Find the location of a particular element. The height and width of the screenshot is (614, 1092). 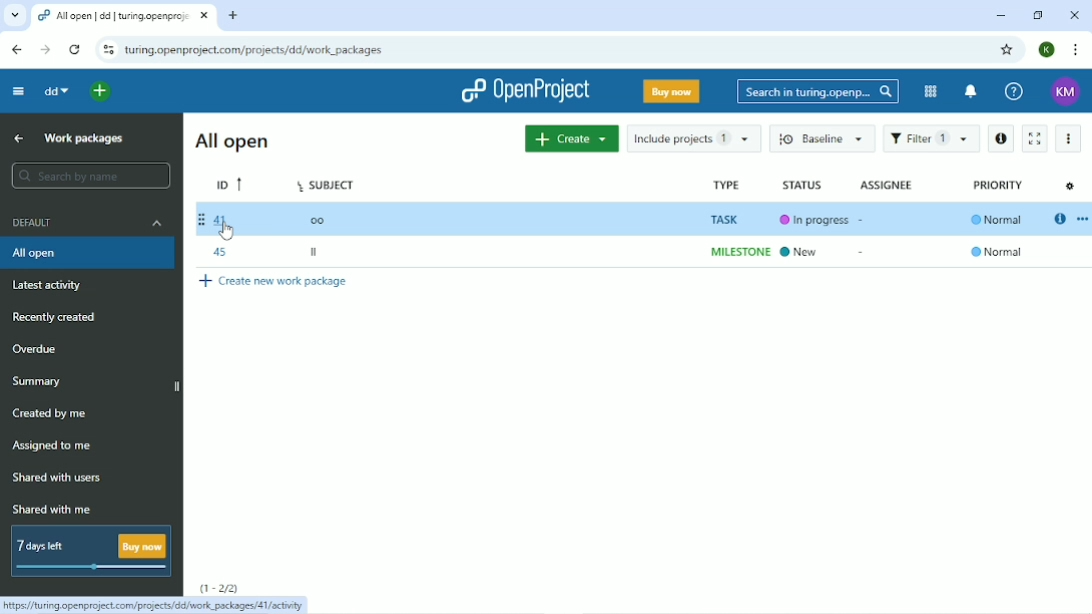

Subject is located at coordinates (329, 218).